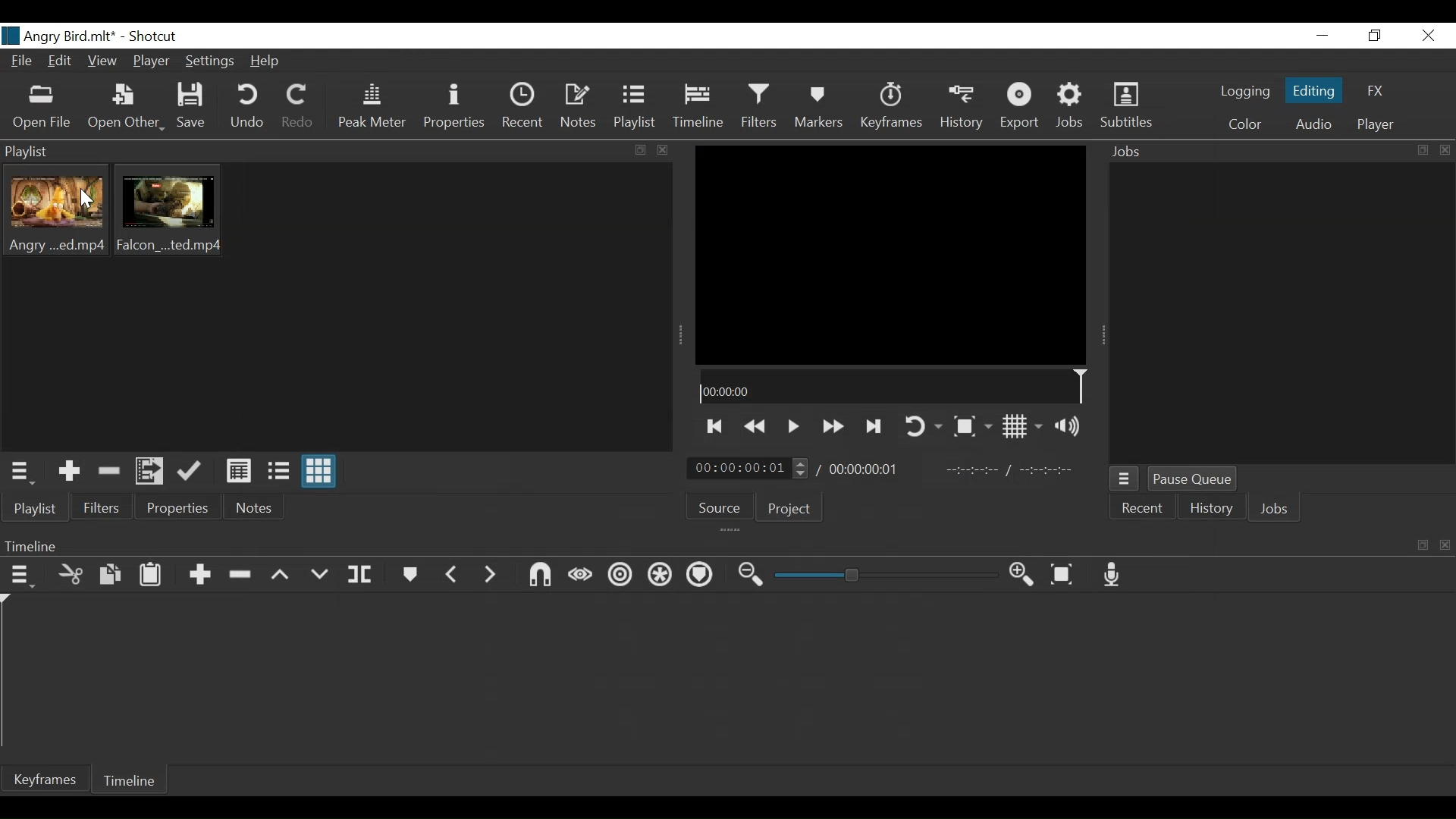  What do you see at coordinates (1282, 315) in the screenshot?
I see `Jobs Panel` at bounding box center [1282, 315].